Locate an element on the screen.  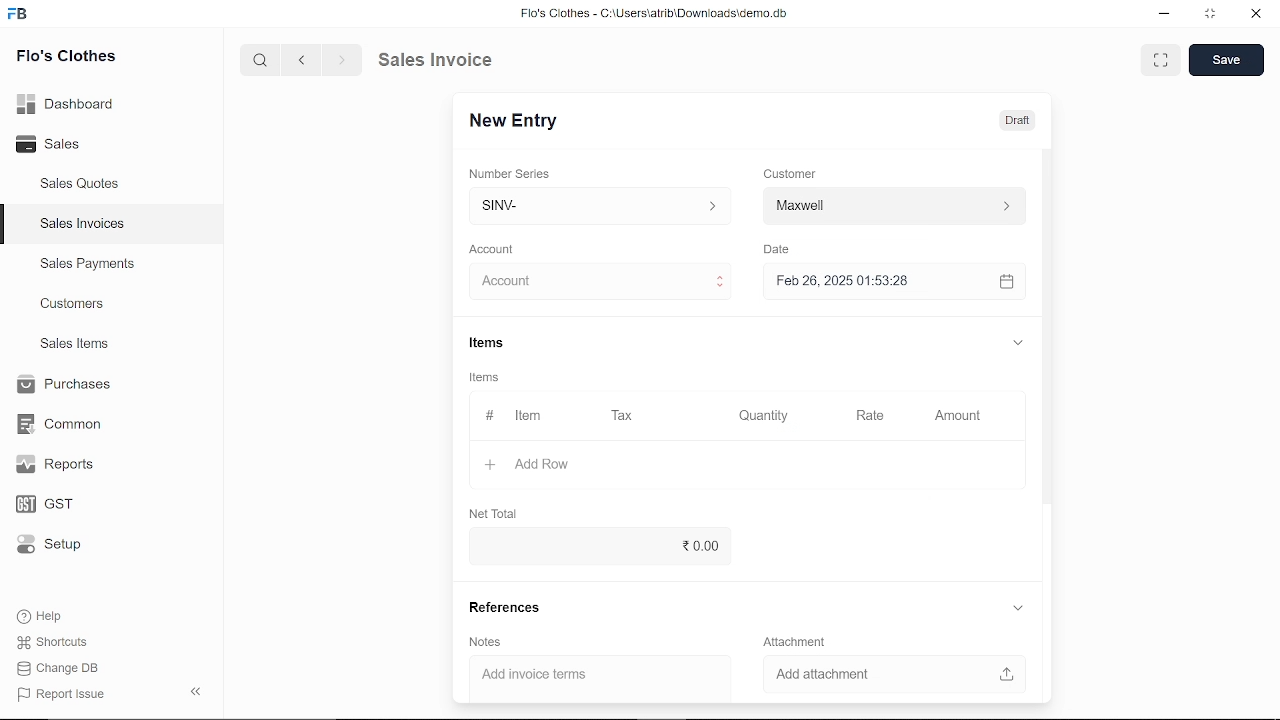
Rate is located at coordinates (863, 416).